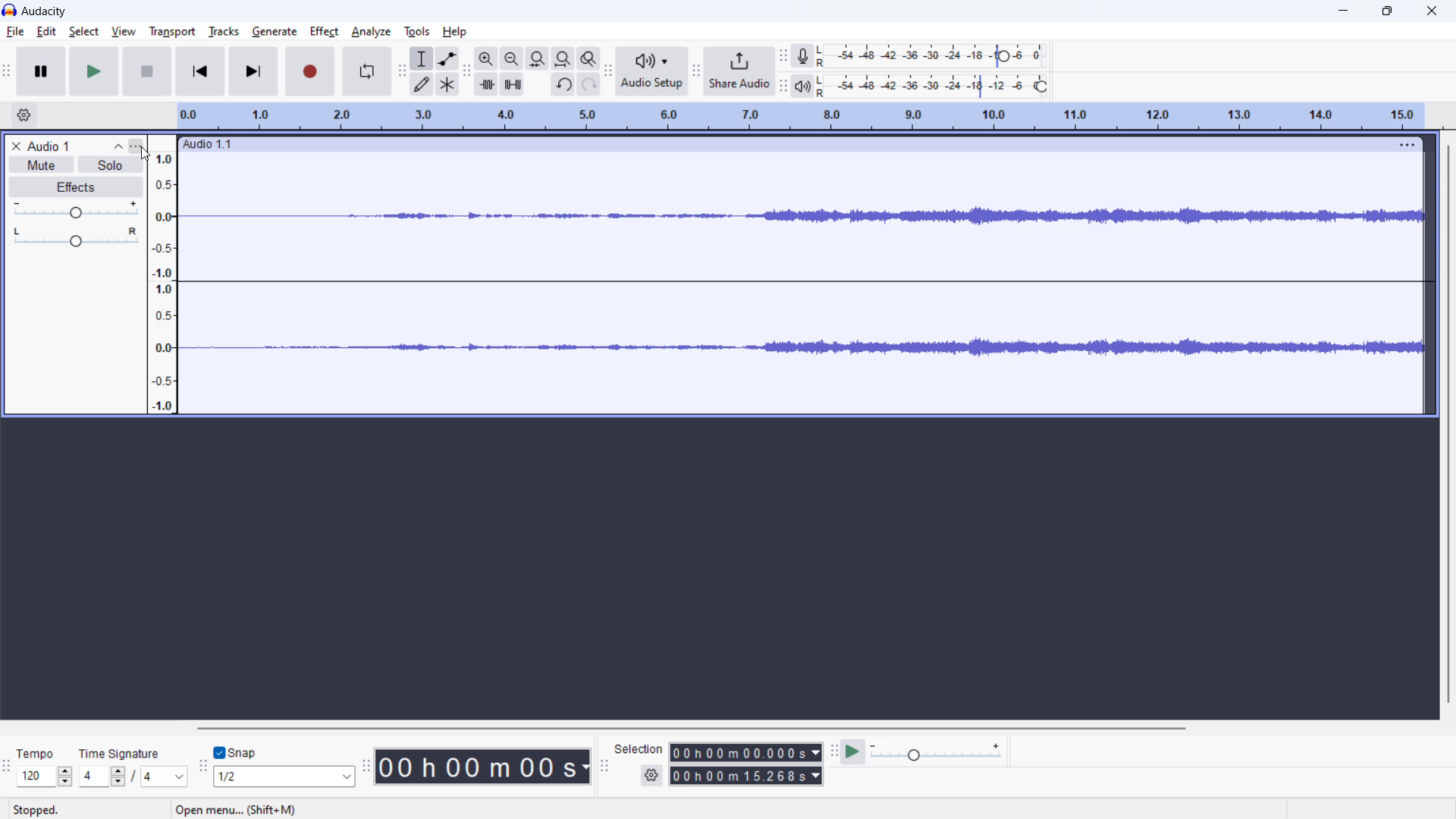 Image resolution: width=1456 pixels, height=819 pixels. I want to click on zoom in, so click(485, 58).